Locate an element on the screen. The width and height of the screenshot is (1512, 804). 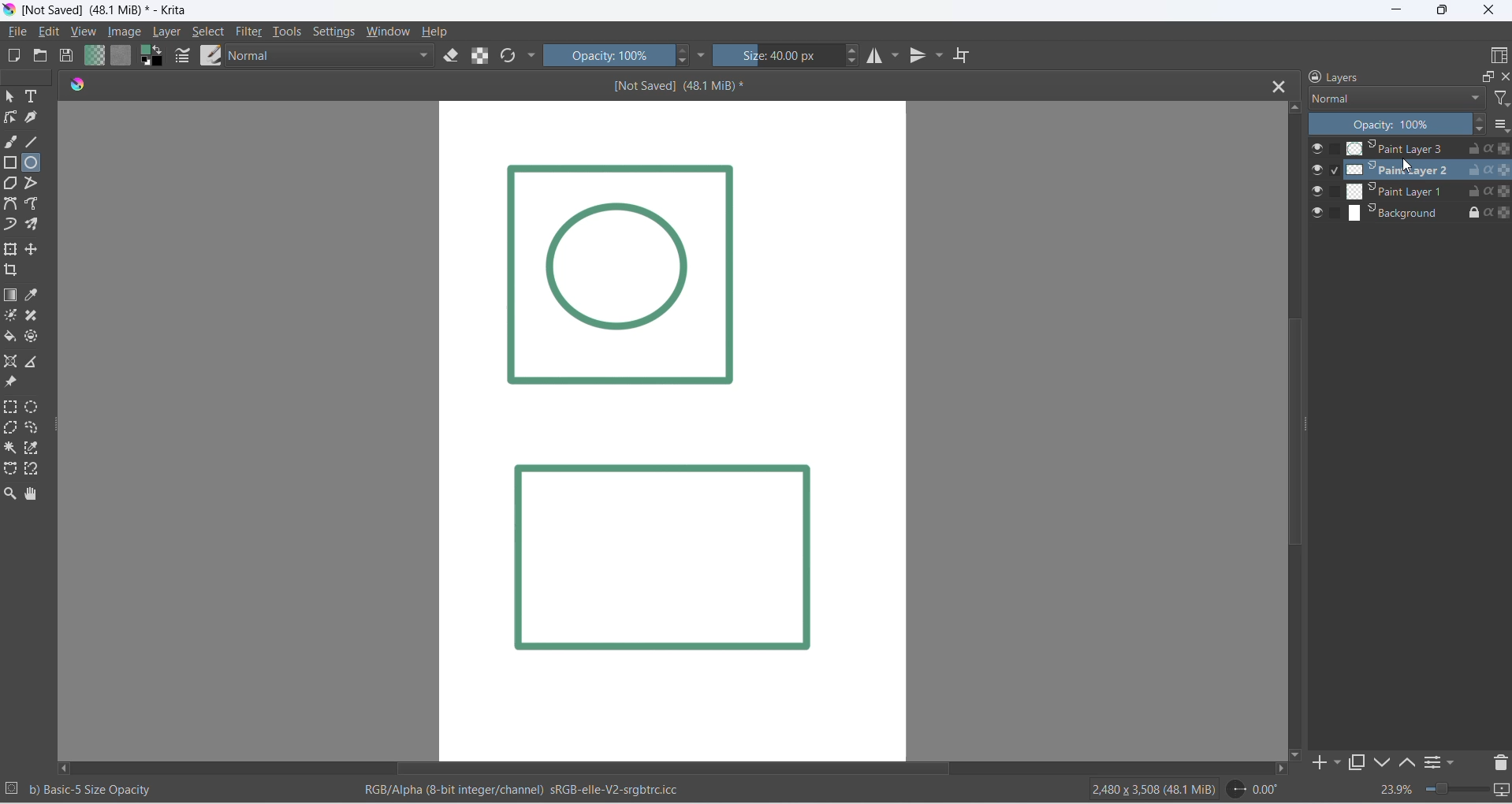
wrap around mode is located at coordinates (967, 57).